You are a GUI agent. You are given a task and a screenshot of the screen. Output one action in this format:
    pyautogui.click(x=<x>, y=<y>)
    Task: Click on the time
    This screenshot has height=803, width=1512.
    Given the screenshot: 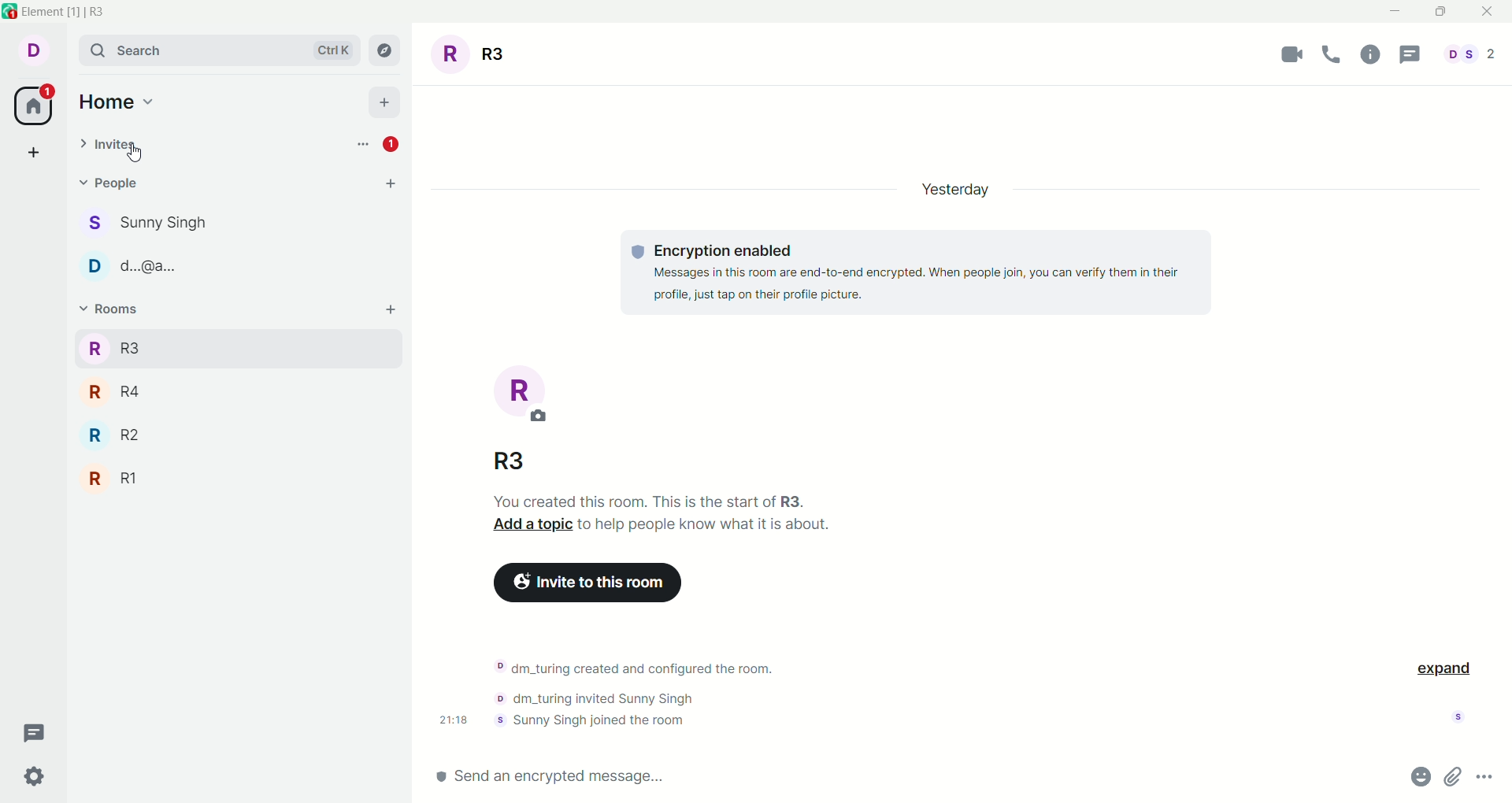 What is the action you would take?
    pyautogui.click(x=446, y=721)
    